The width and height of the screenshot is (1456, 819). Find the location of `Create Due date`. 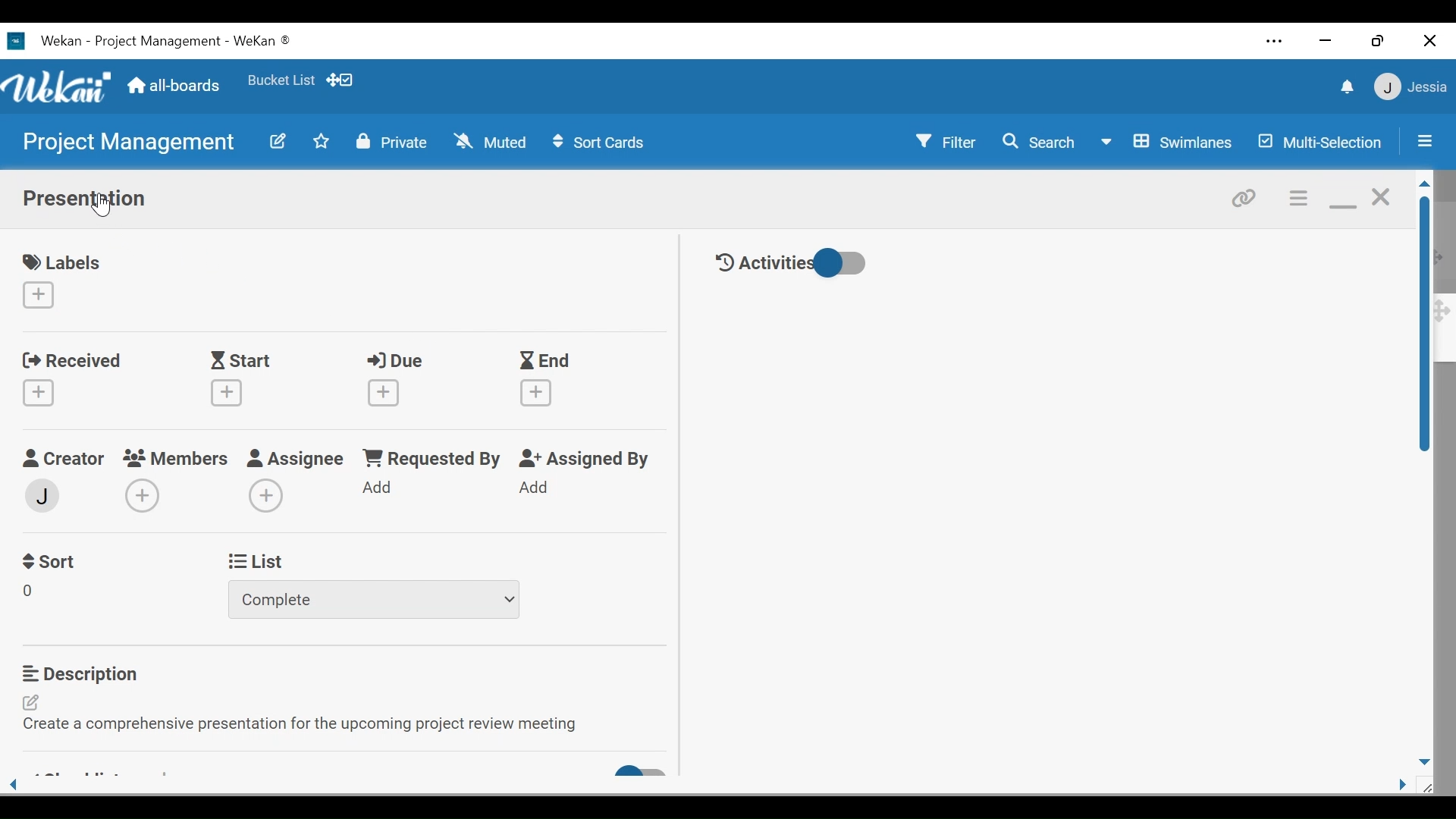

Create Due date is located at coordinates (381, 391).